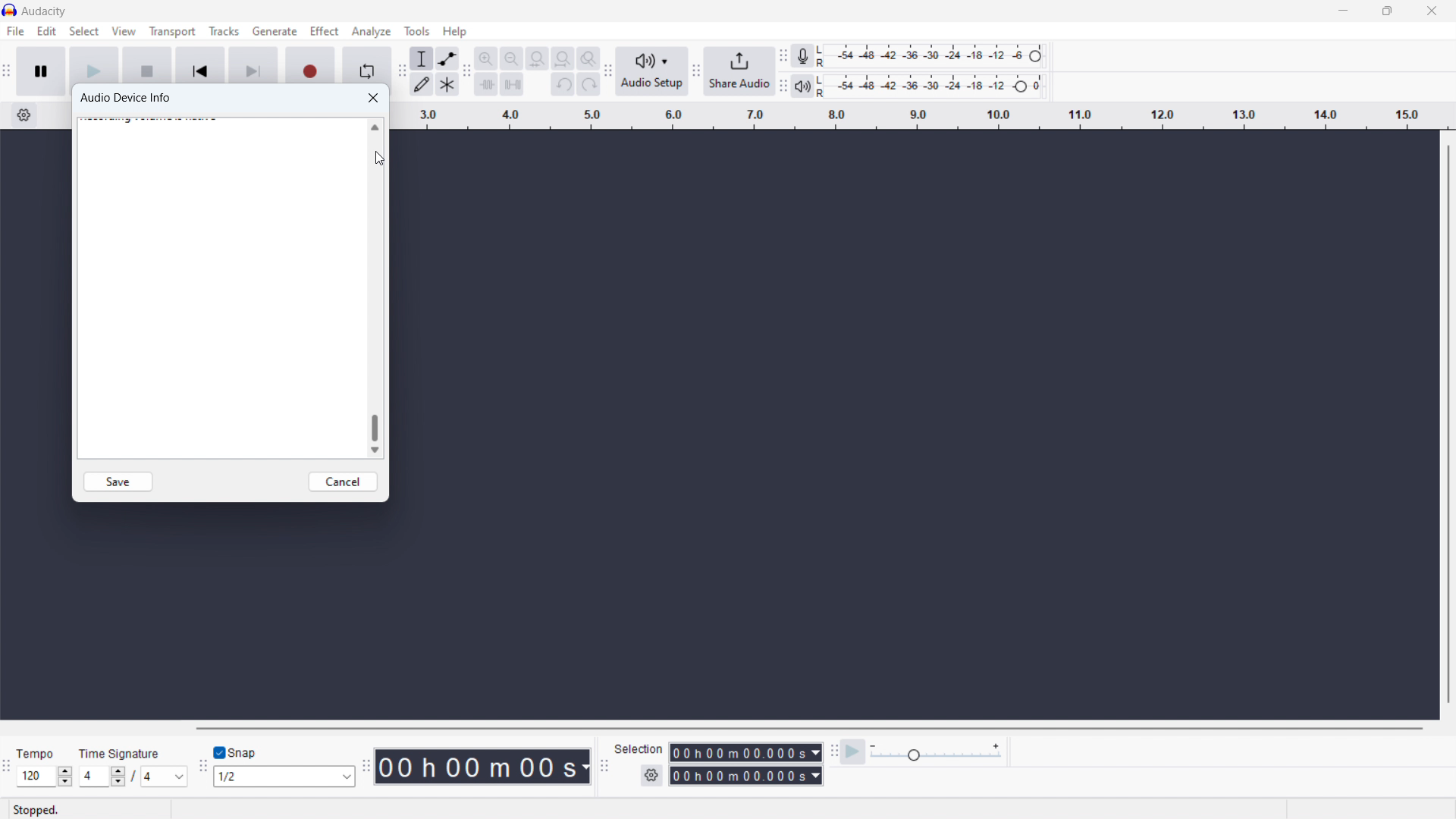 The height and width of the screenshot is (819, 1456). I want to click on tools, so click(415, 31).